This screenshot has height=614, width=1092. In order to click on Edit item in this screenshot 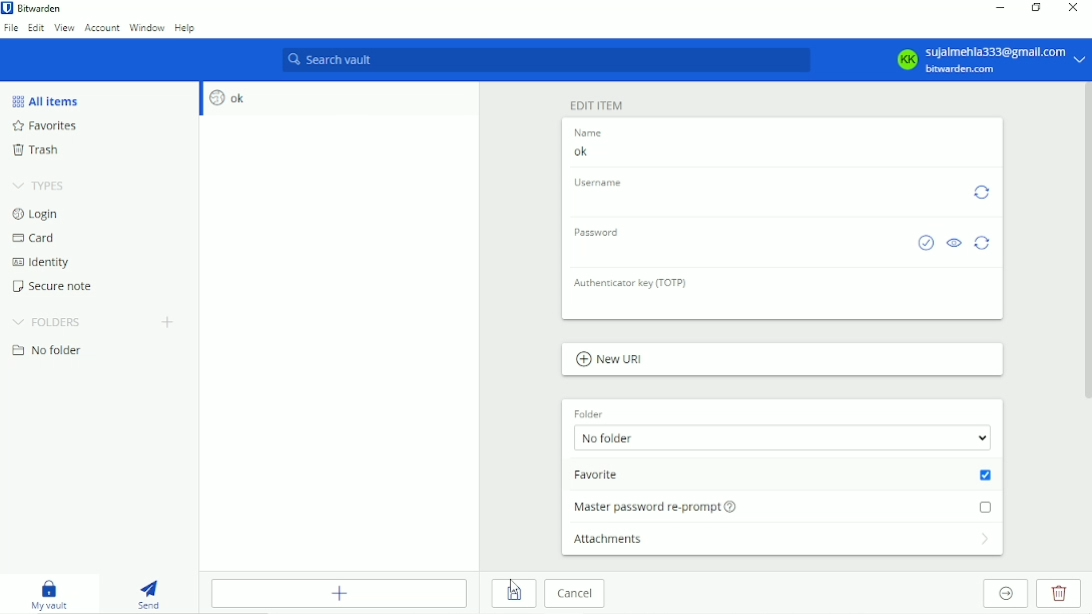, I will do `click(596, 105)`.